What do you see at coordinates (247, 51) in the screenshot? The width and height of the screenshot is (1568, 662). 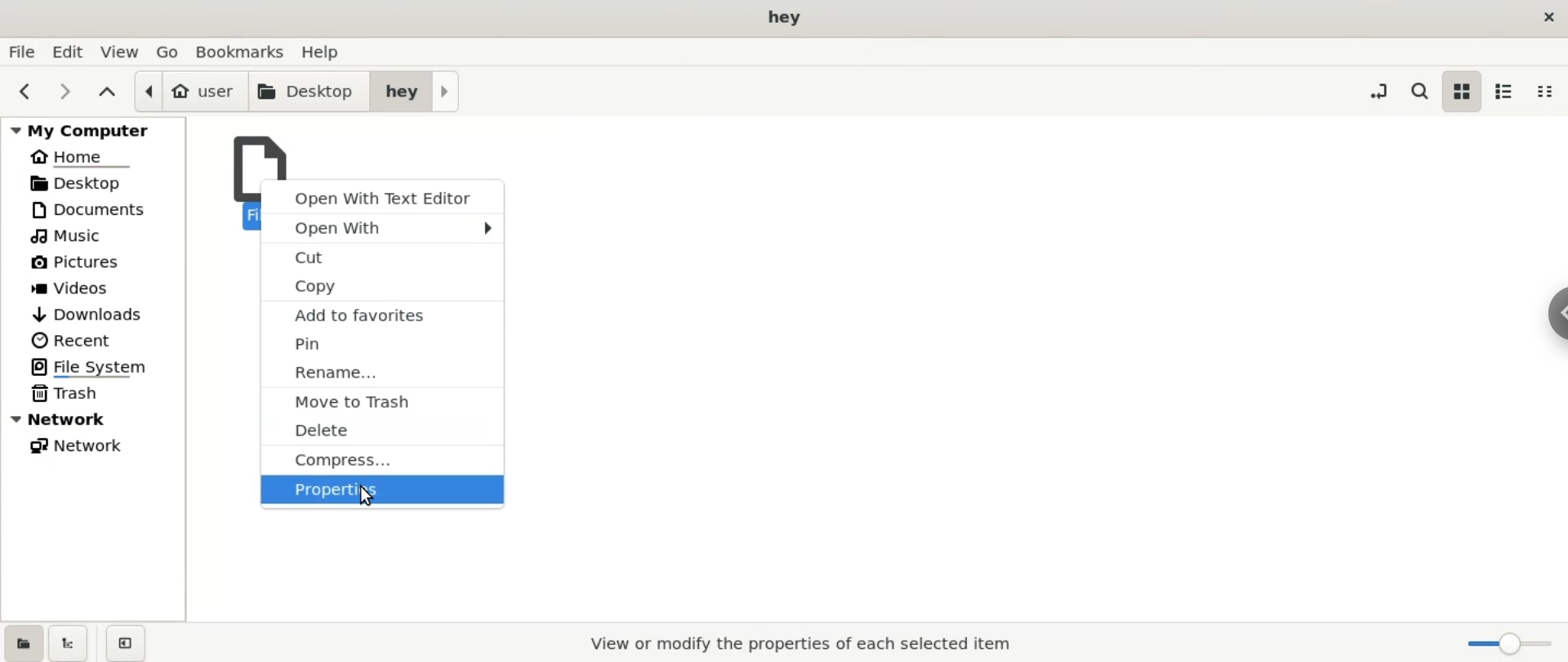 I see `bookmarks` at bounding box center [247, 51].